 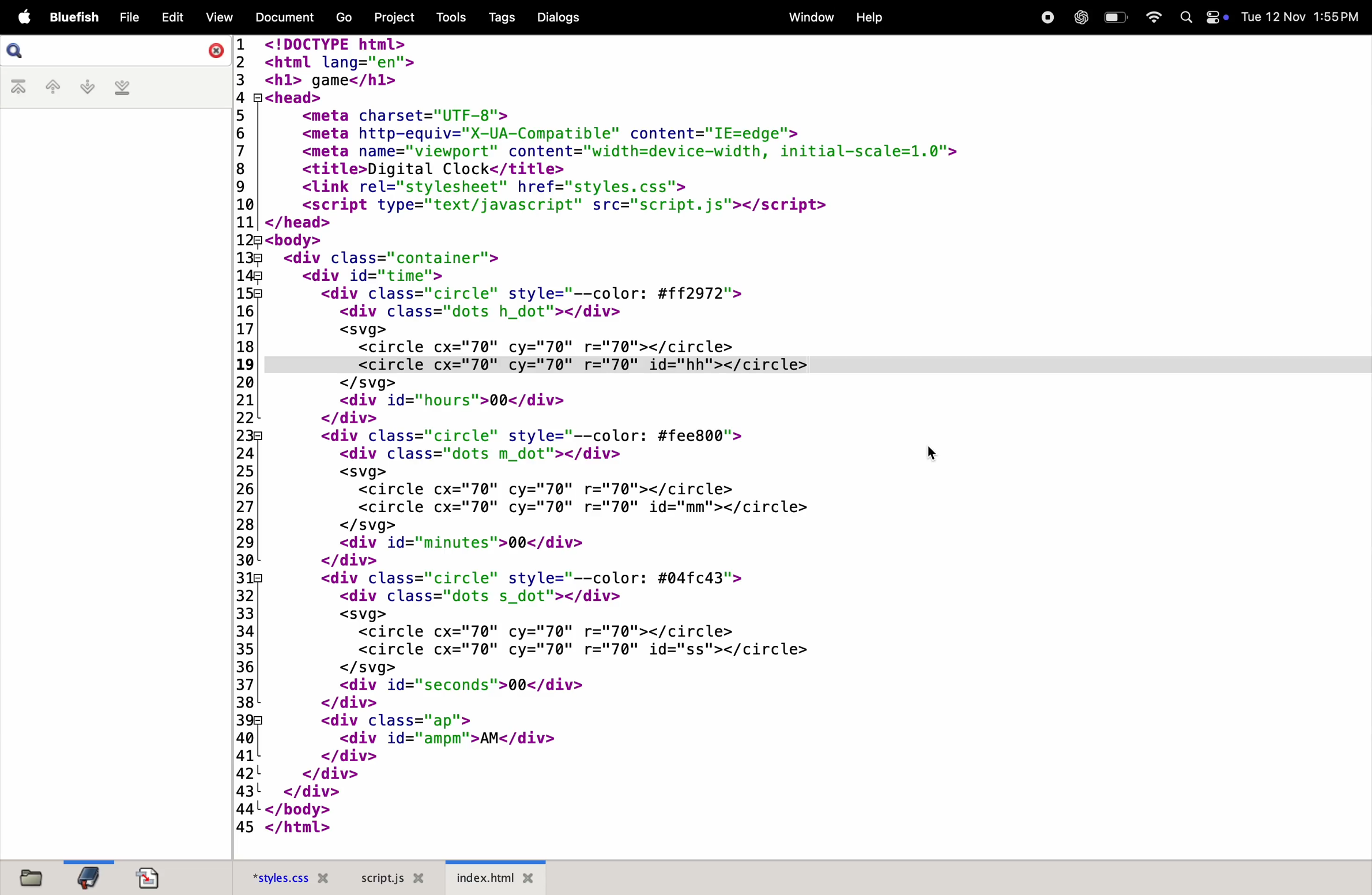 What do you see at coordinates (125, 87) in the screenshot?
I see `last book mark` at bounding box center [125, 87].